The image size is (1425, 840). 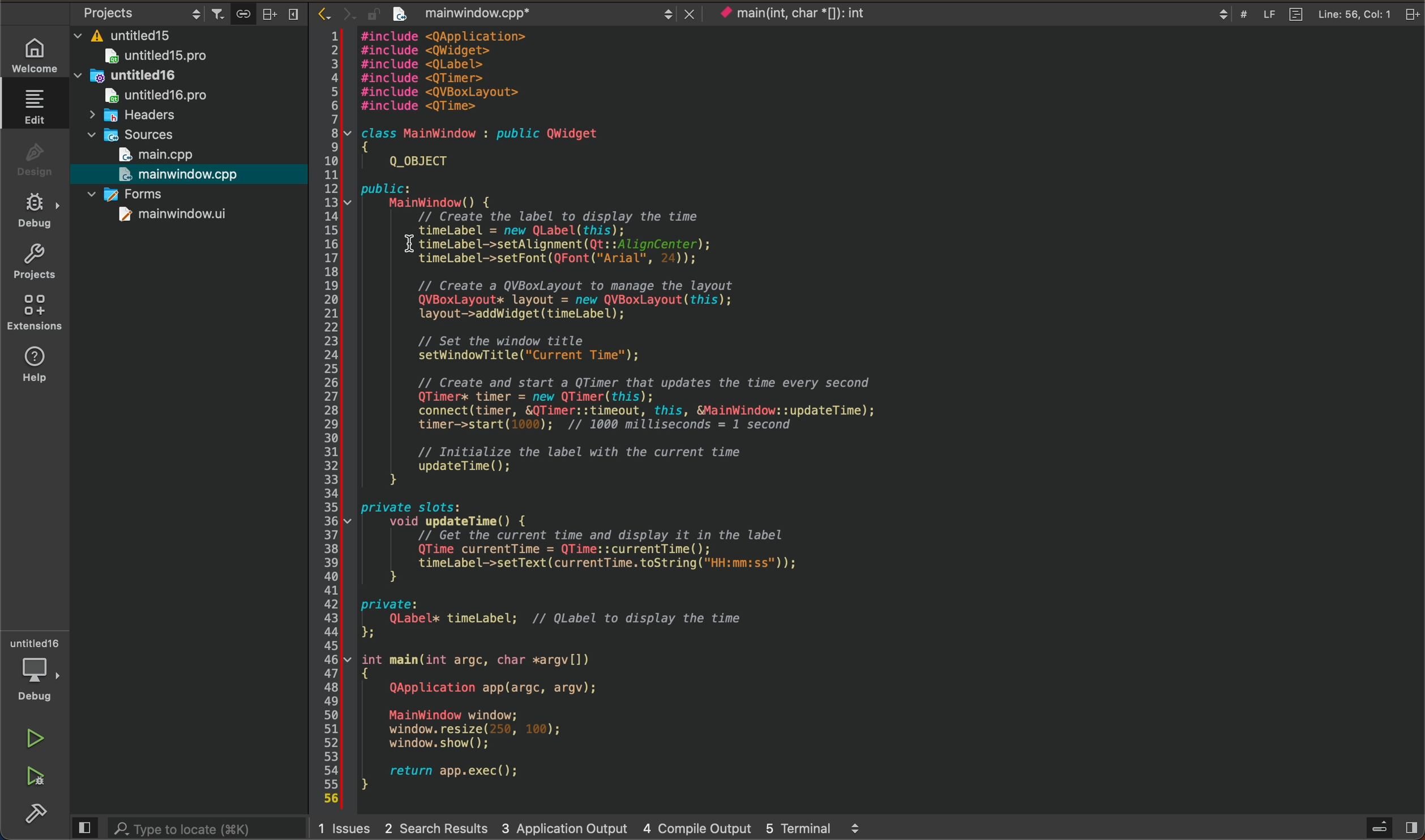 What do you see at coordinates (136, 32) in the screenshot?
I see `untitled15` at bounding box center [136, 32].